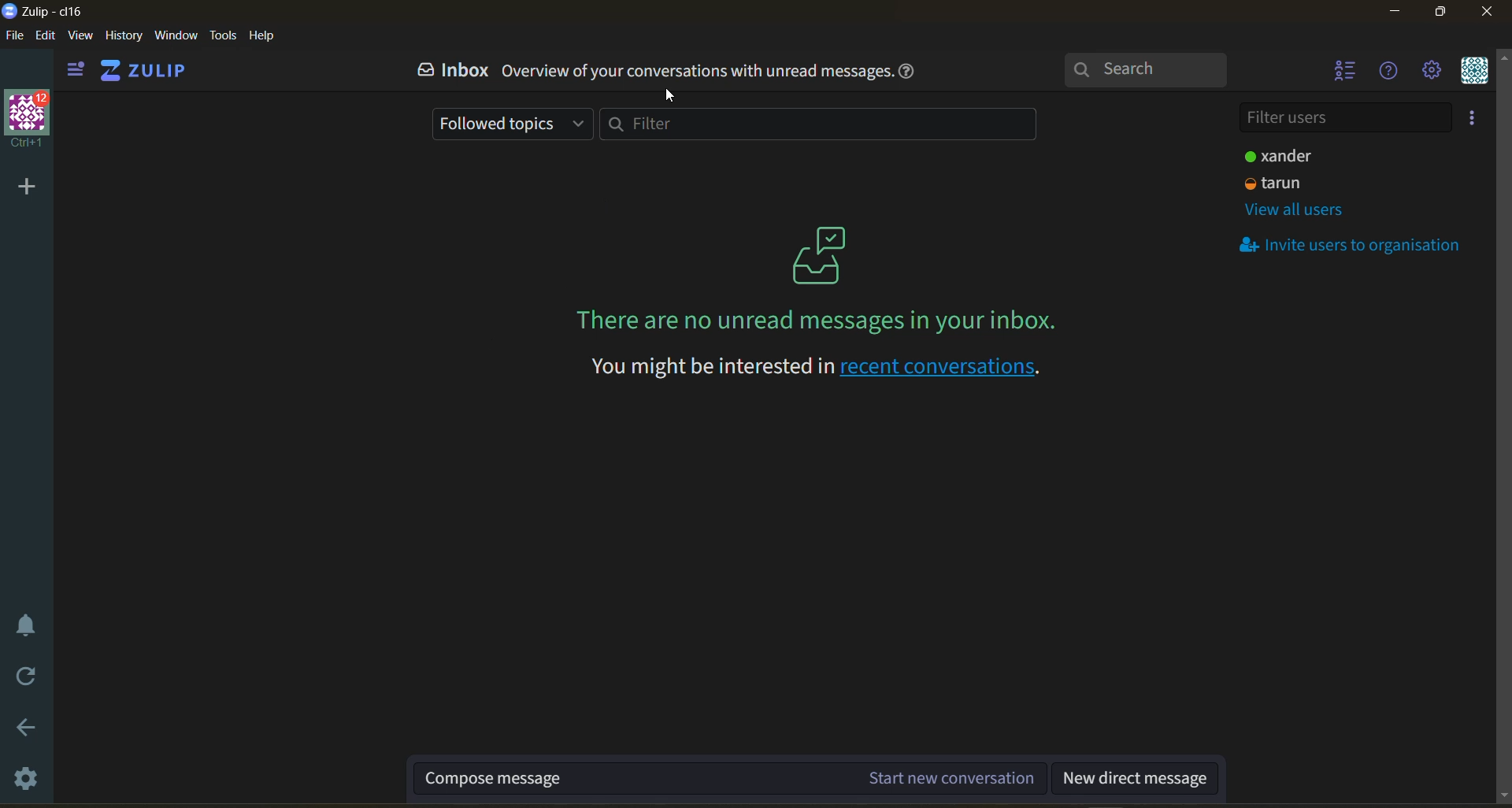 This screenshot has width=1512, height=808. What do you see at coordinates (78, 68) in the screenshot?
I see `show left side bar` at bounding box center [78, 68].